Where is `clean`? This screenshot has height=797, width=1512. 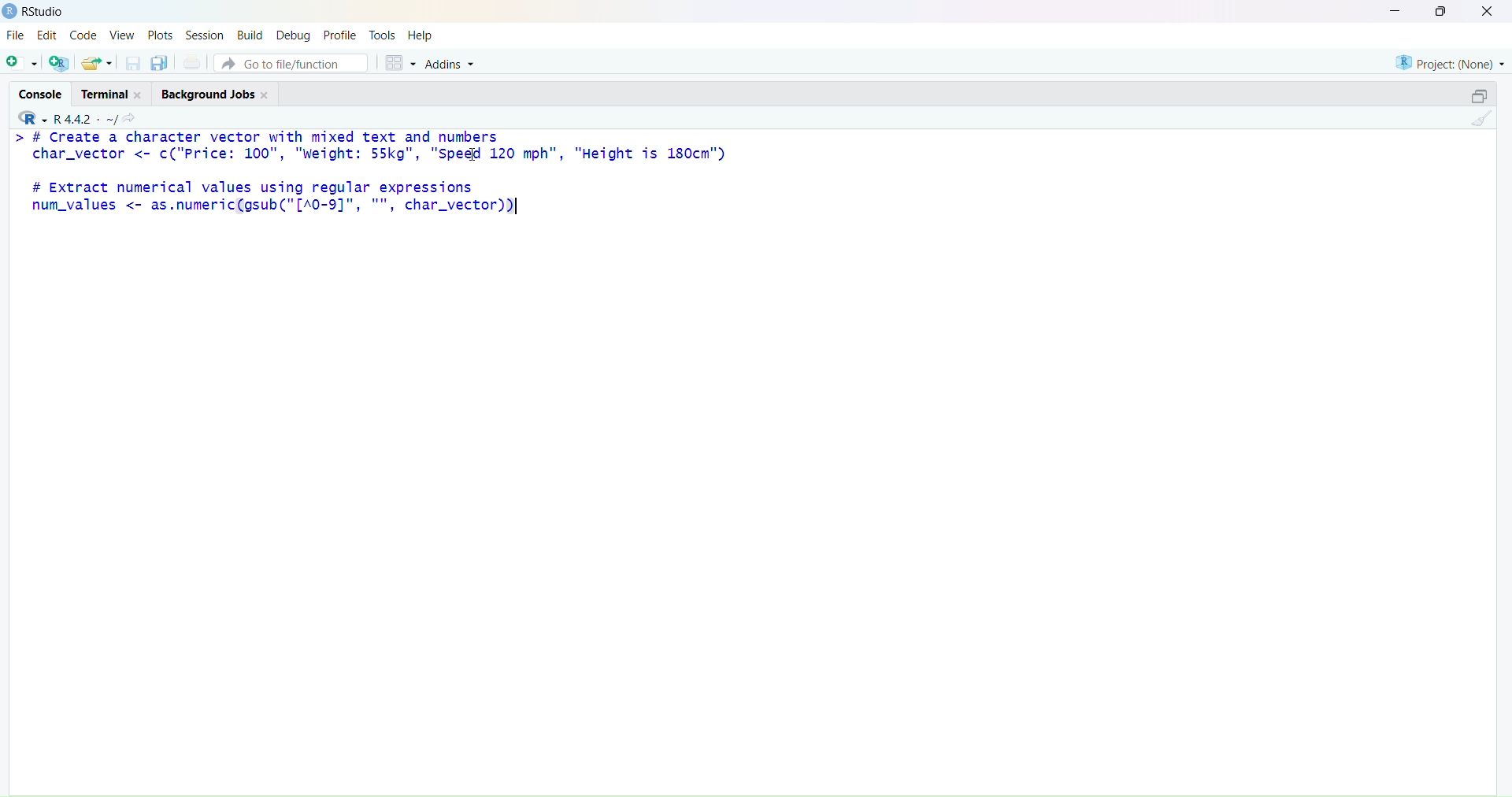 clean is located at coordinates (1482, 117).